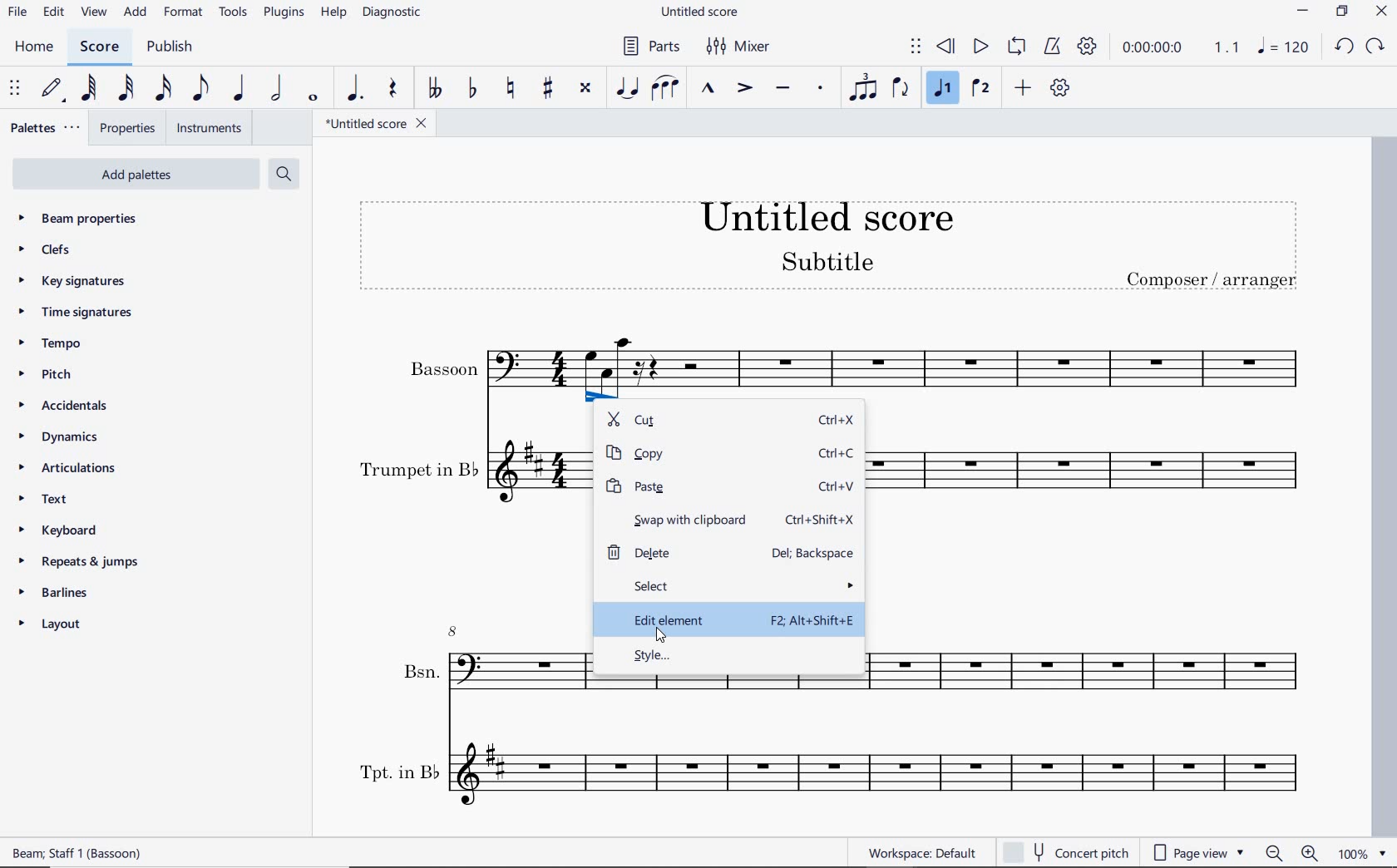  What do you see at coordinates (1088, 46) in the screenshot?
I see `playback settings` at bounding box center [1088, 46].